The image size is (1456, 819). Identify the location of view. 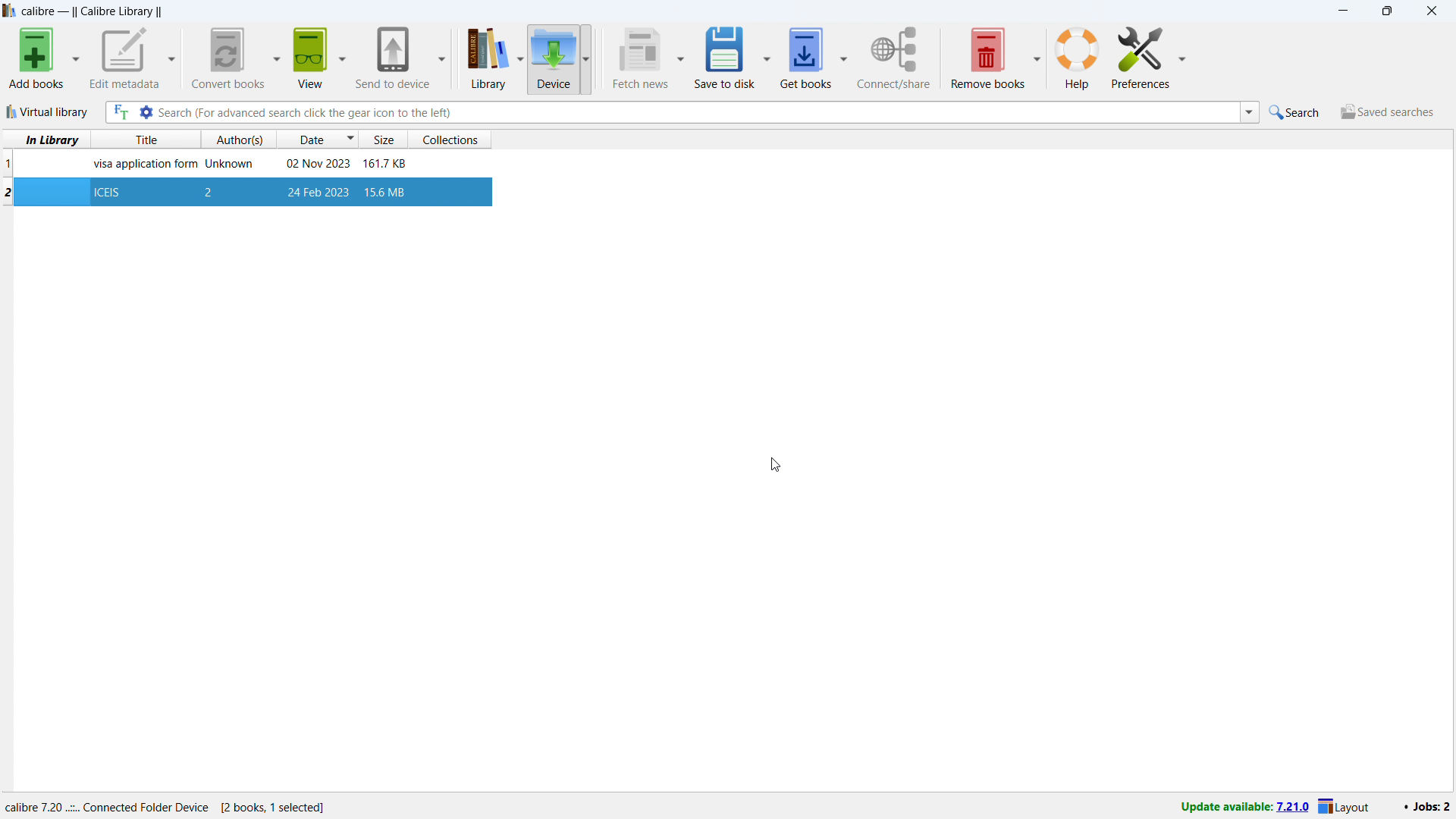
(309, 58).